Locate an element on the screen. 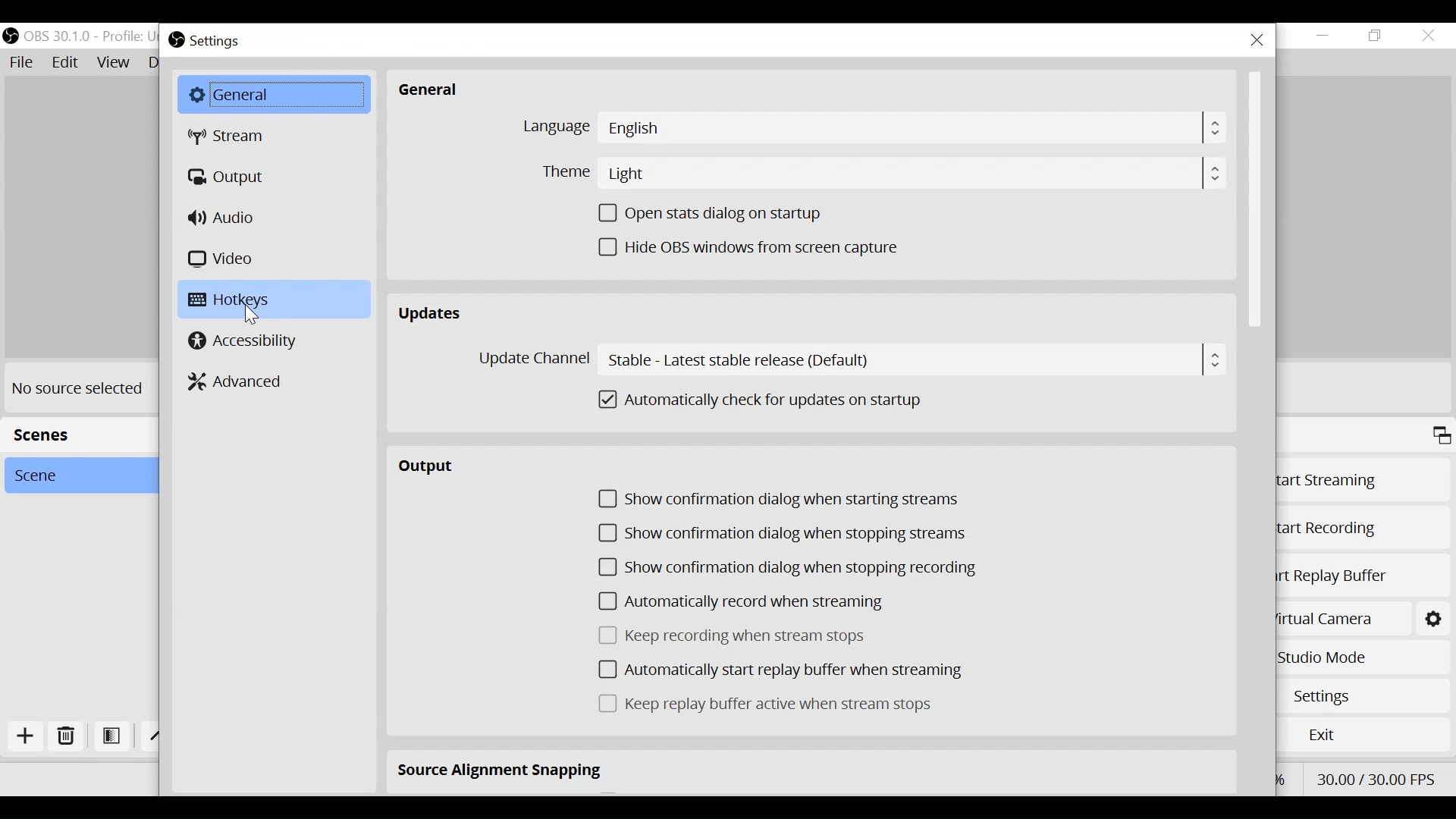 Image resolution: width=1456 pixels, height=819 pixels. (un)check confirmation dialog when stopping recording is located at coordinates (791, 570).